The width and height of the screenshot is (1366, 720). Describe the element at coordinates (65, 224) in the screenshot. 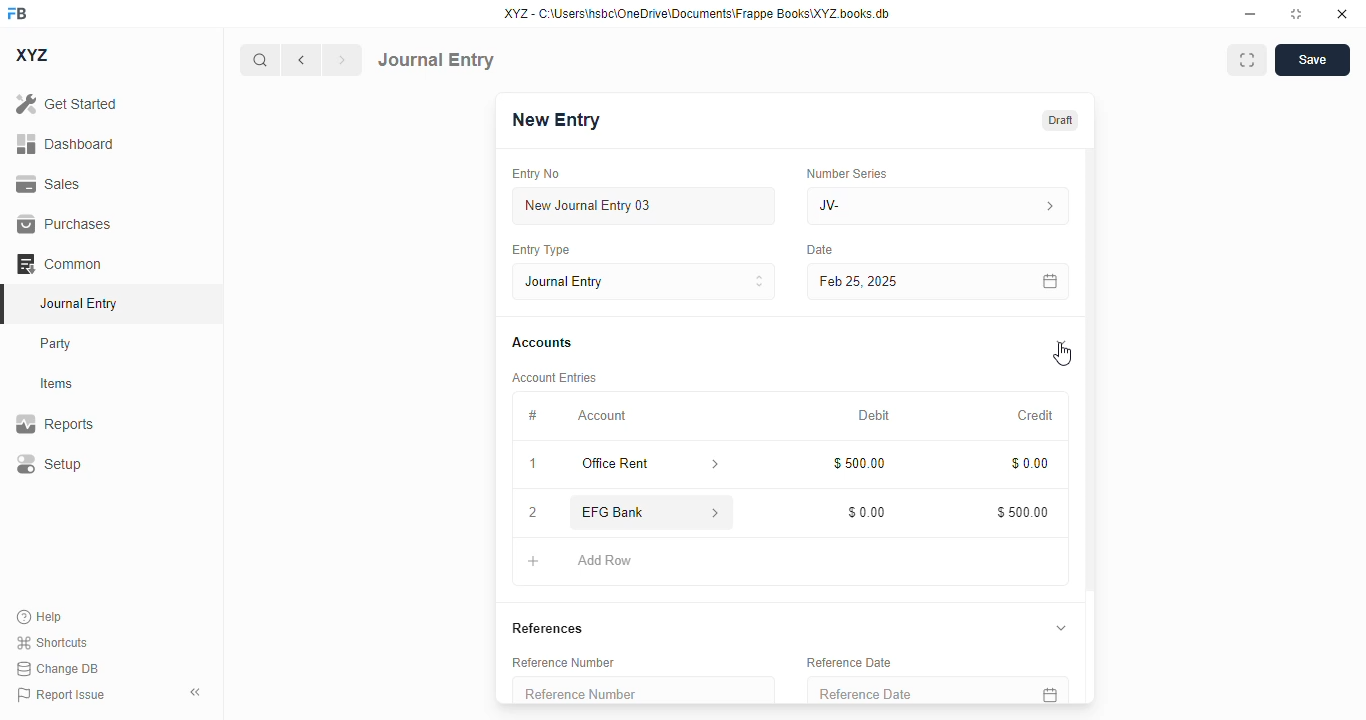

I see `purchases` at that location.